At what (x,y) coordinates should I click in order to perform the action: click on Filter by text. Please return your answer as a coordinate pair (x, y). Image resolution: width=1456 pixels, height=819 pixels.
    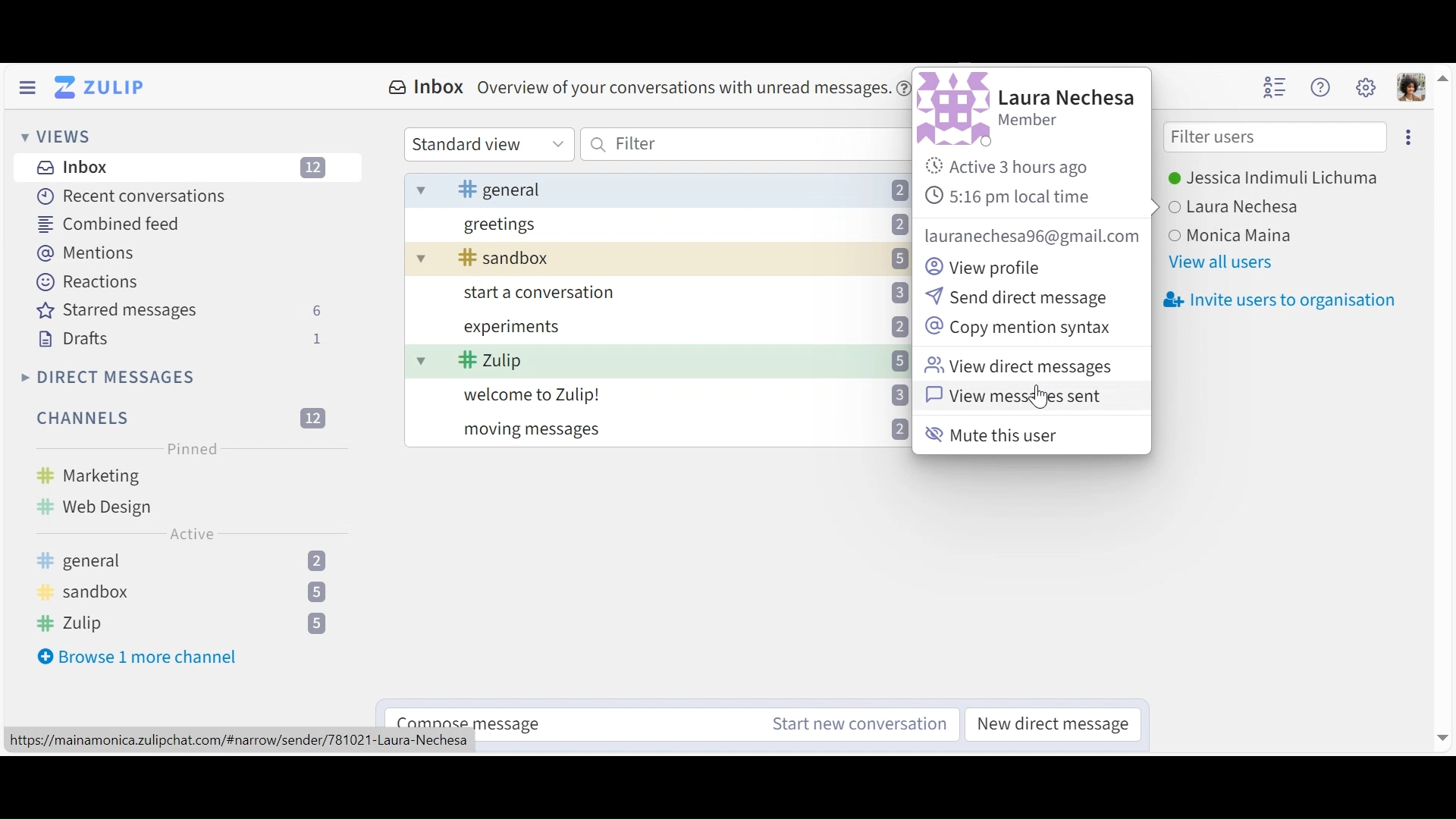
    Looking at the image, I should click on (743, 145).